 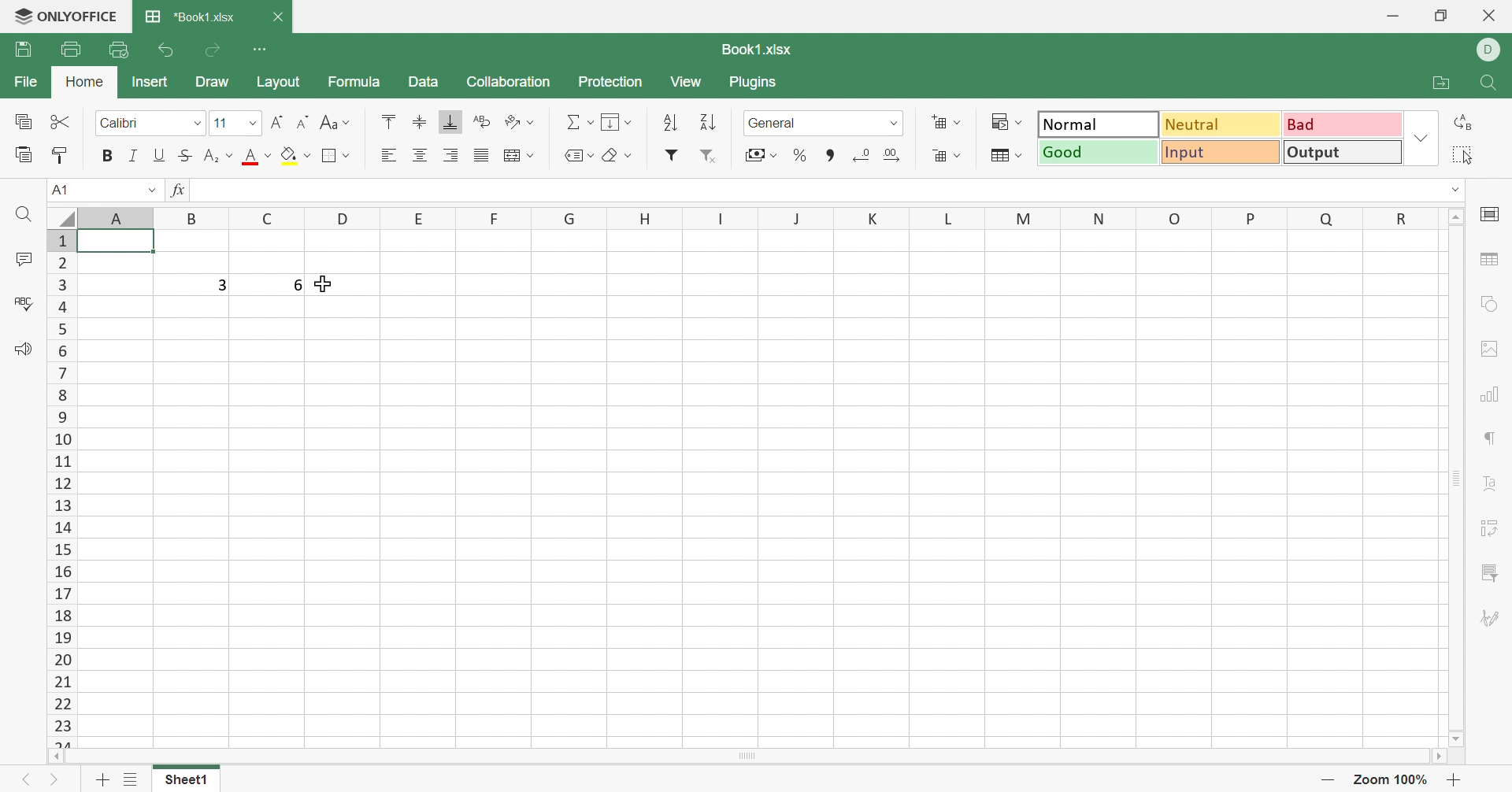 I want to click on Redo, so click(x=213, y=50).